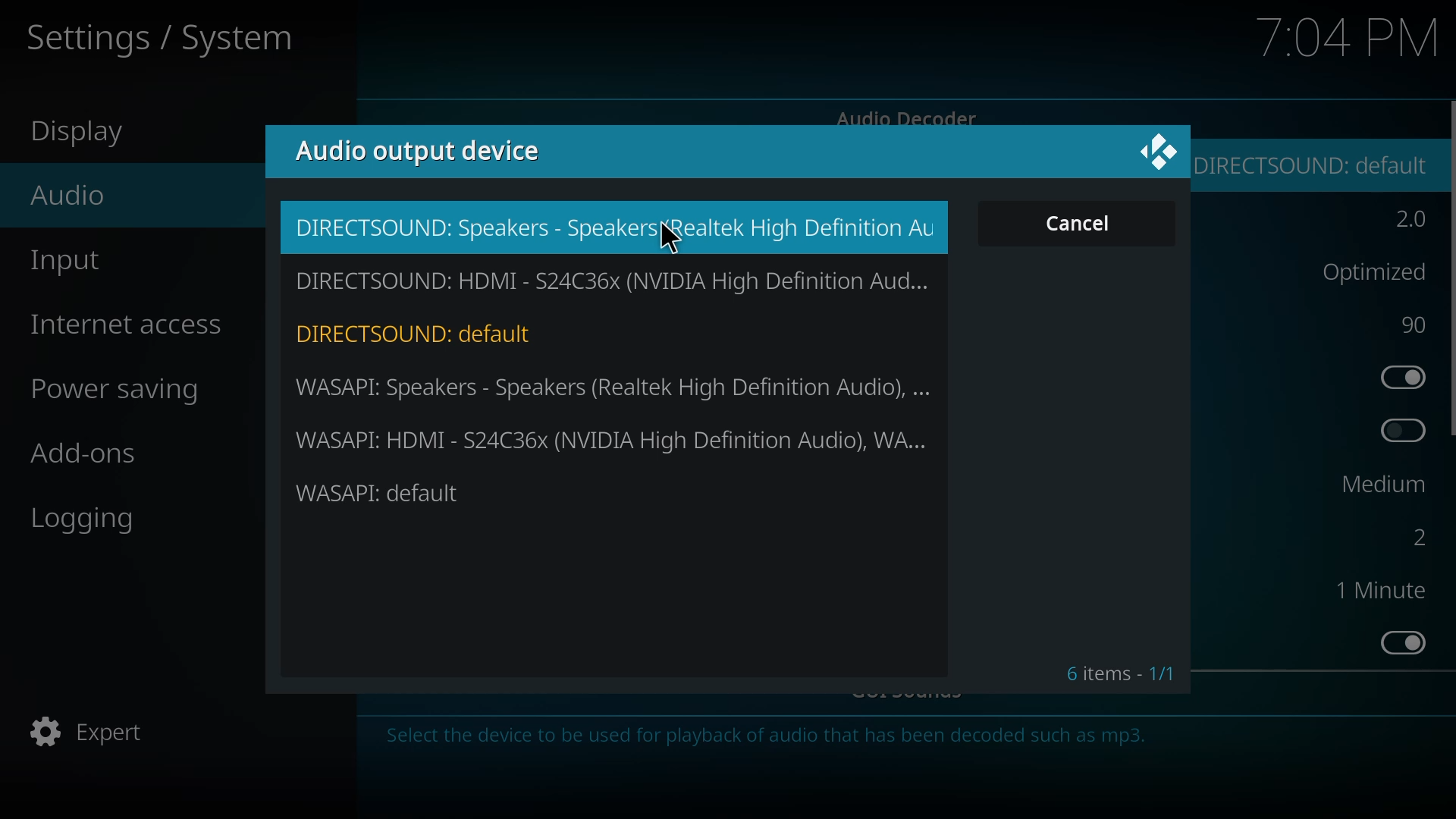 Image resolution: width=1456 pixels, height=819 pixels. Describe the element at coordinates (130, 325) in the screenshot. I see `internet access` at that location.